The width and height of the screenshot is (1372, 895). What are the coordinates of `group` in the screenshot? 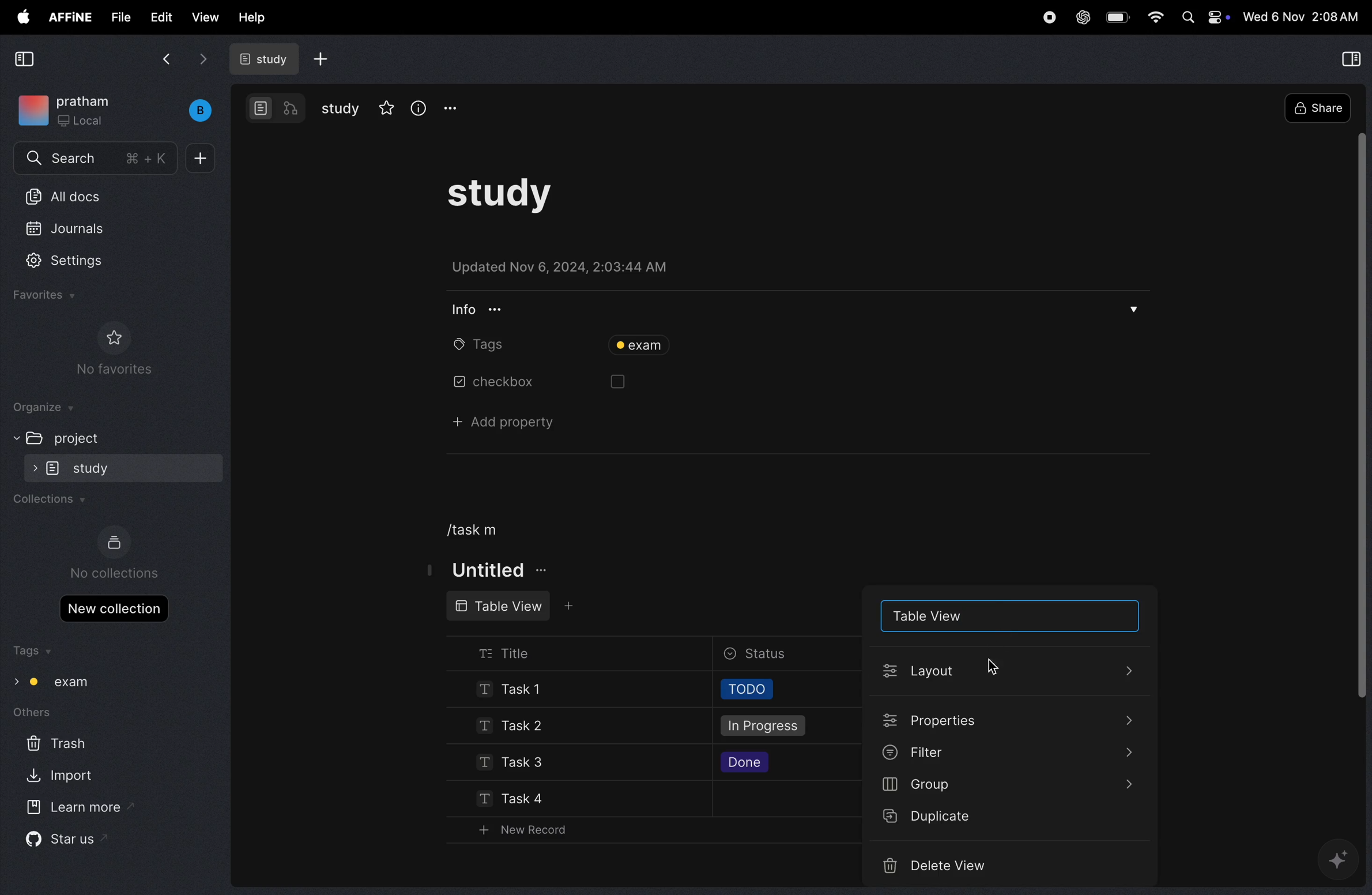 It's located at (1004, 785).